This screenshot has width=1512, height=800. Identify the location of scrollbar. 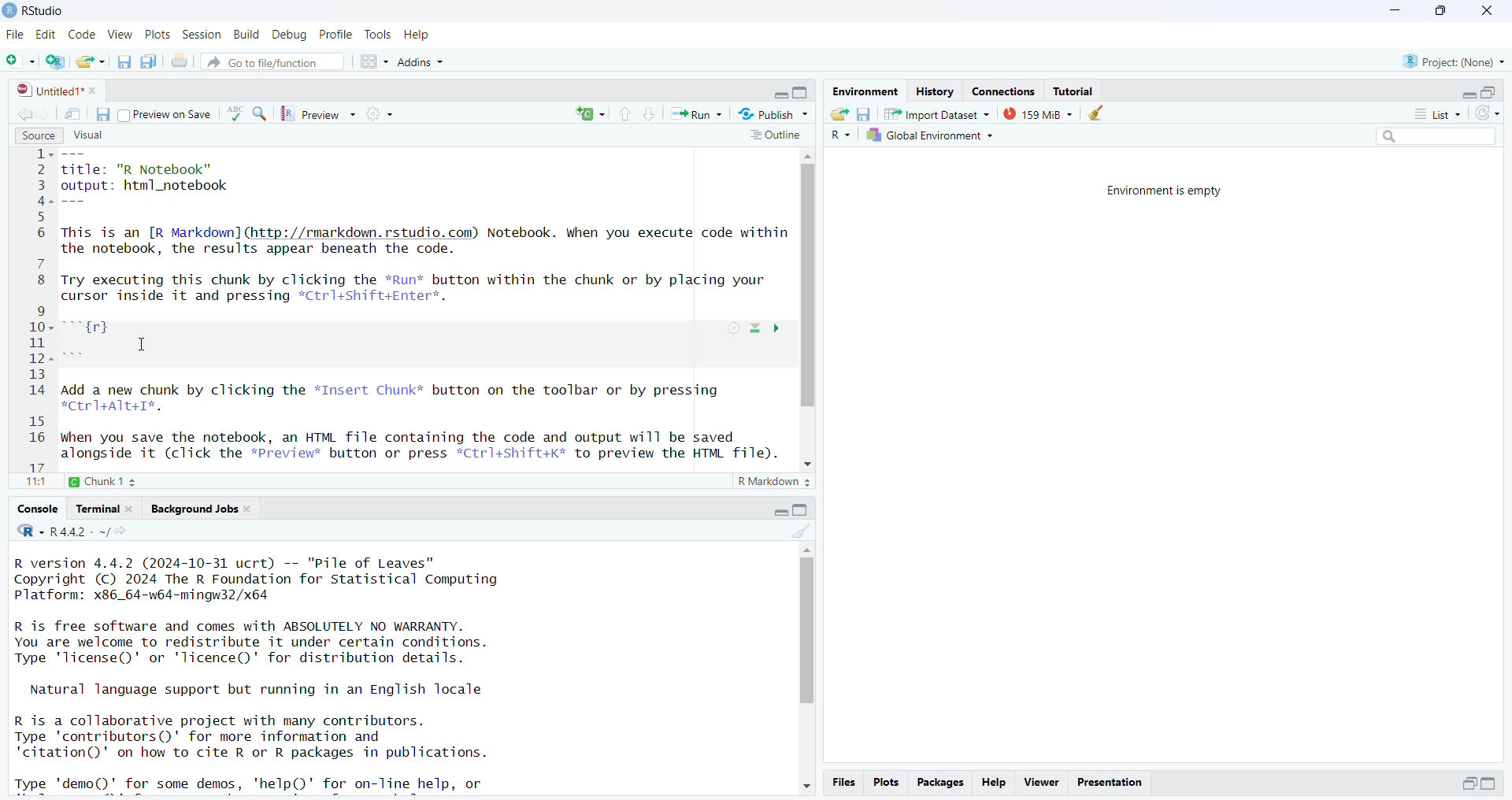
(810, 311).